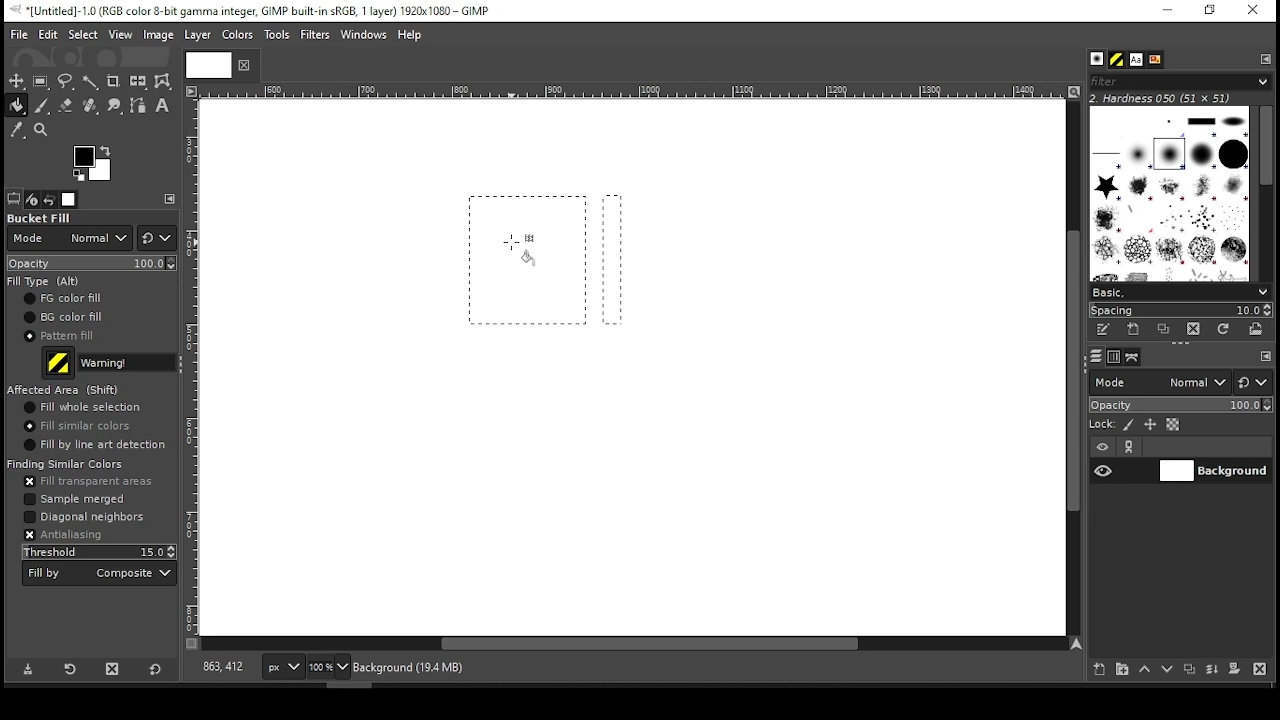 Image resolution: width=1280 pixels, height=720 pixels. I want to click on move layer one step up, so click(1145, 671).